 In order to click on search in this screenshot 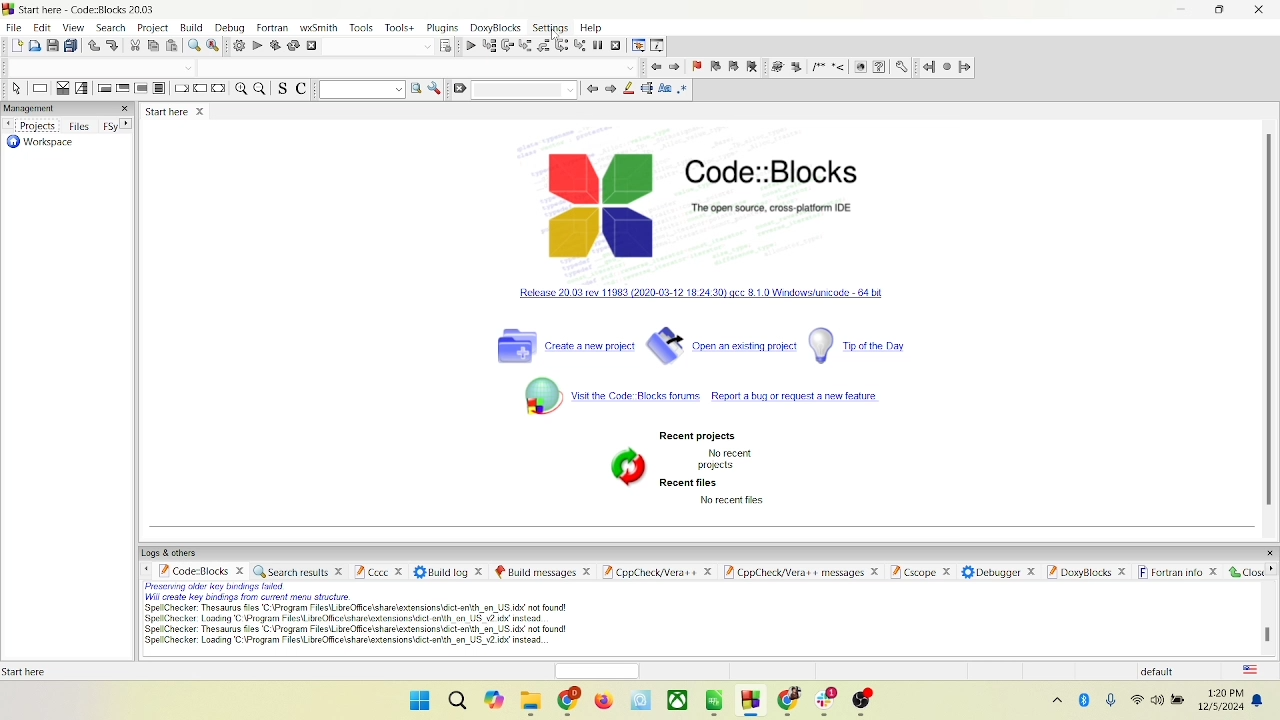, I will do `click(109, 28)`.